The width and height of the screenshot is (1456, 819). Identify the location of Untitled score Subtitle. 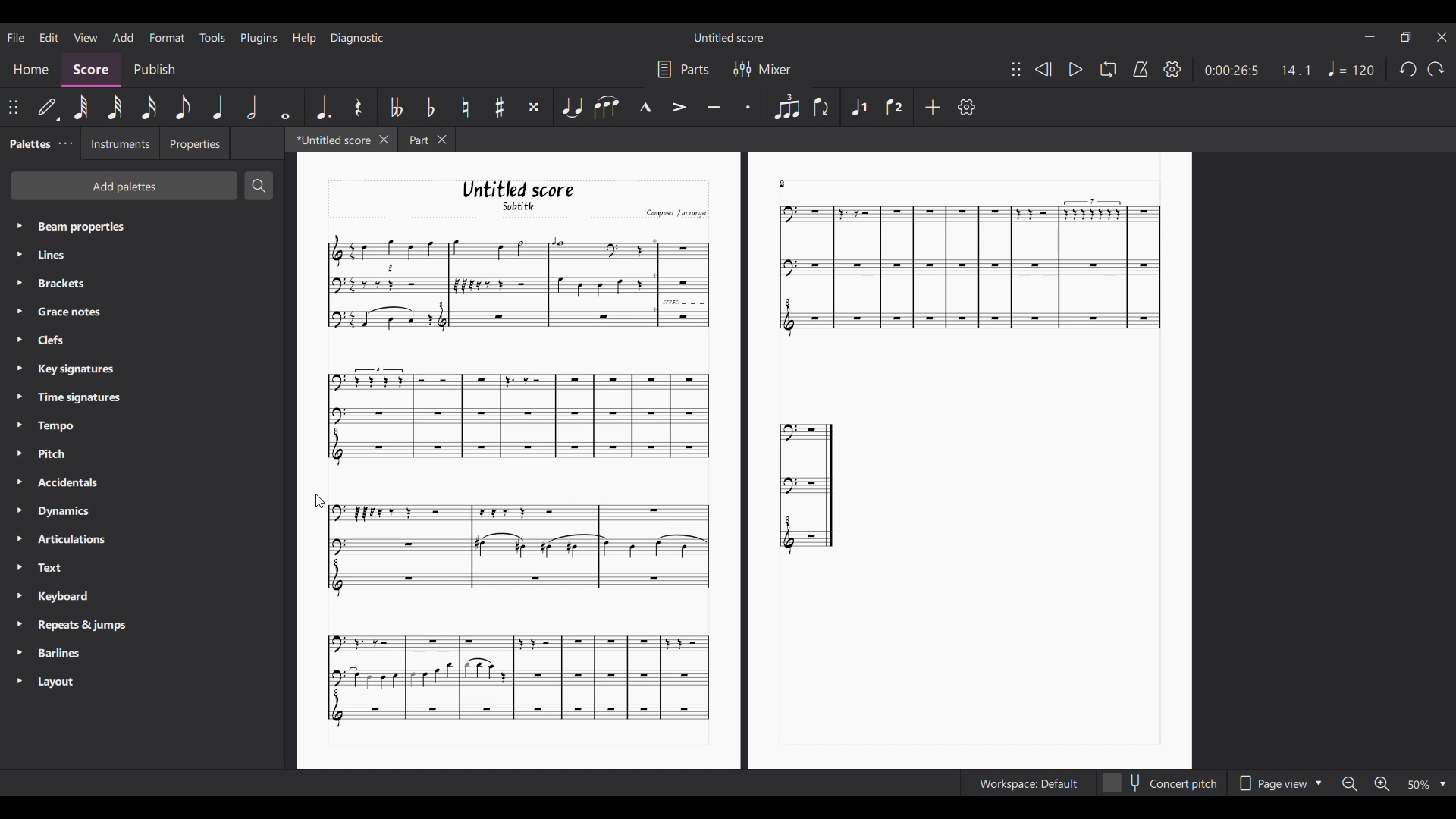
(532, 196).